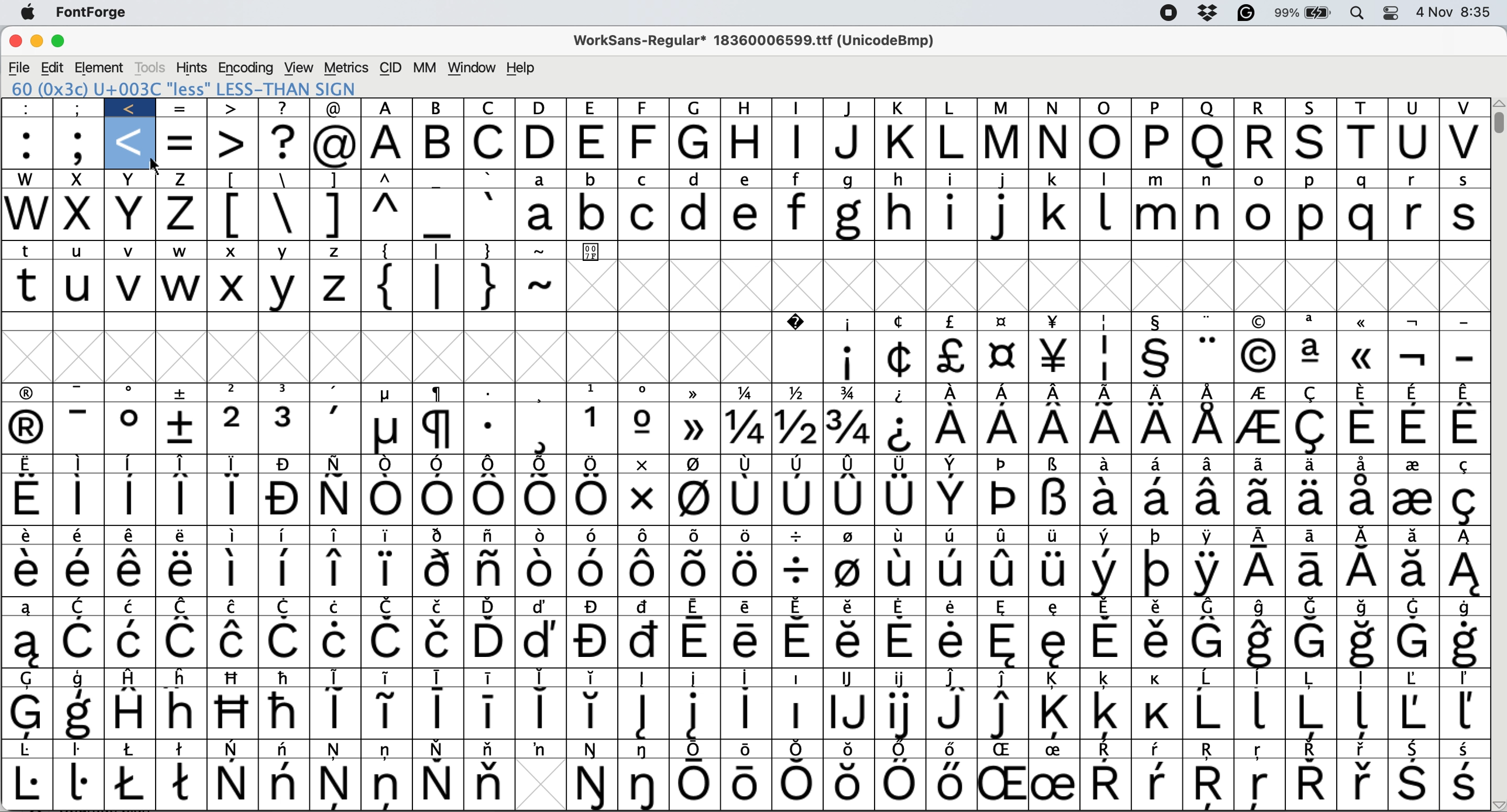  What do you see at coordinates (746, 536) in the screenshot?
I see `Symbol` at bounding box center [746, 536].